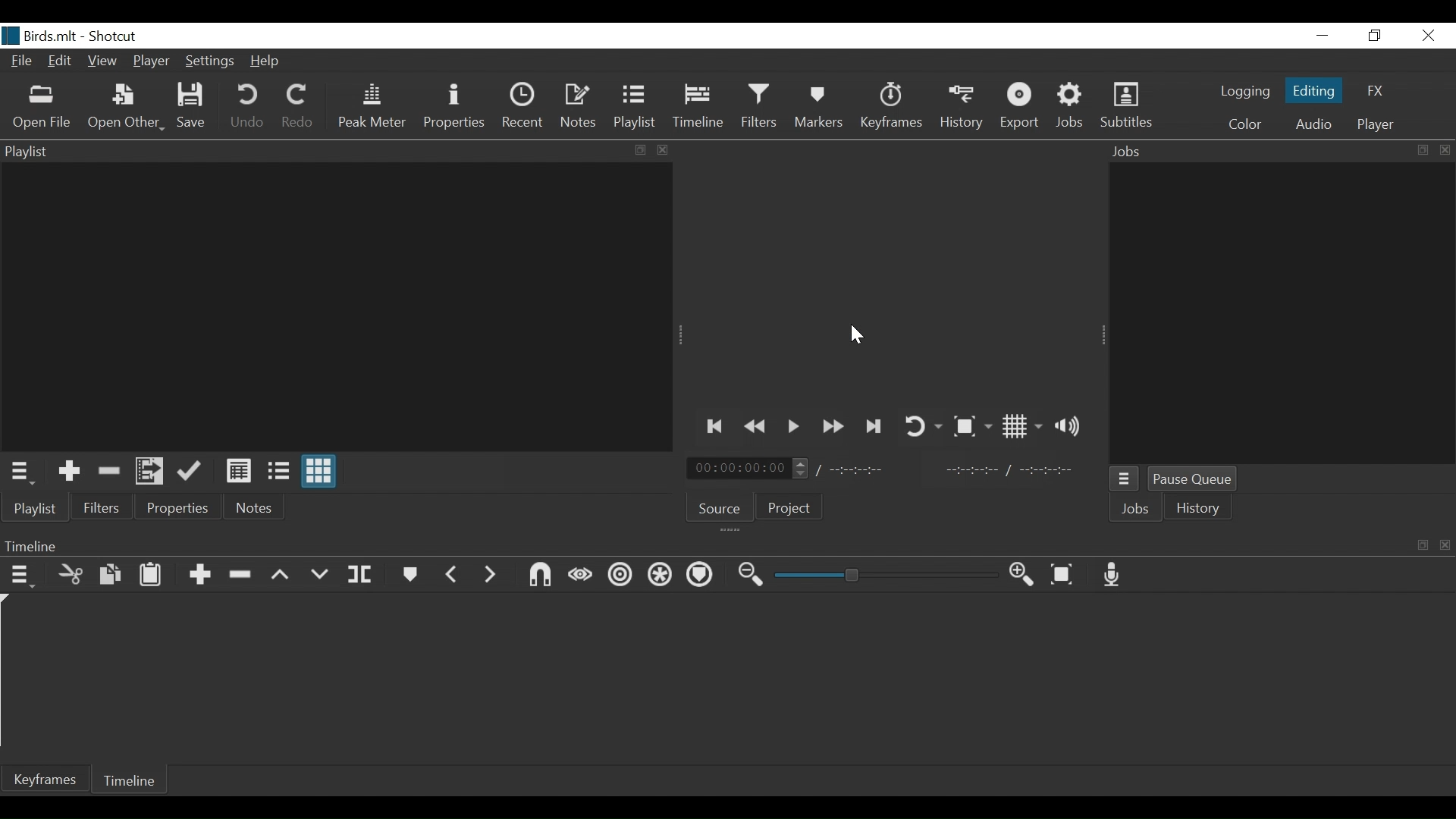  I want to click on Toggle Zoom, so click(971, 426).